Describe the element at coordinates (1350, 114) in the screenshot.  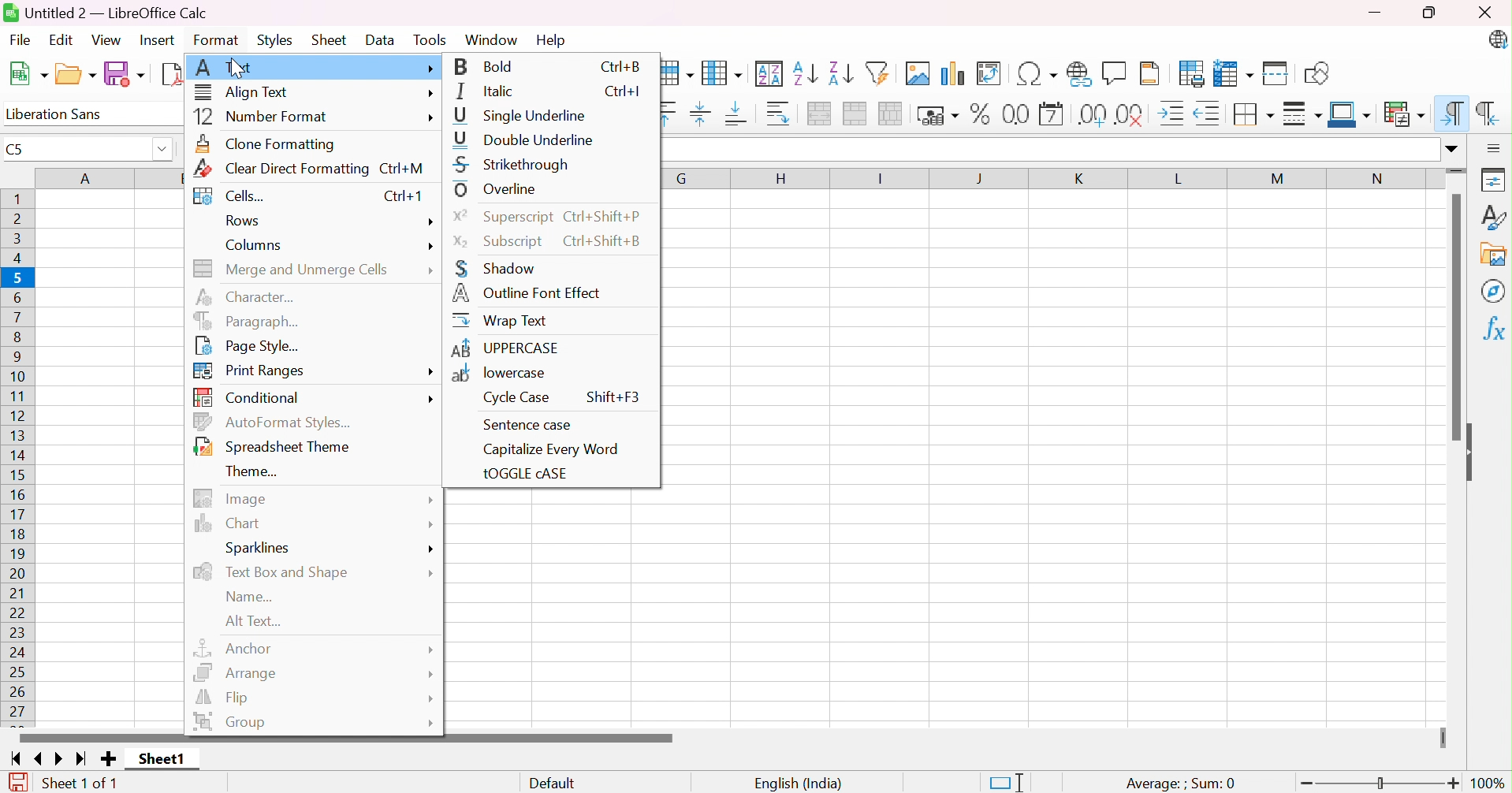
I see `Border Color` at that location.